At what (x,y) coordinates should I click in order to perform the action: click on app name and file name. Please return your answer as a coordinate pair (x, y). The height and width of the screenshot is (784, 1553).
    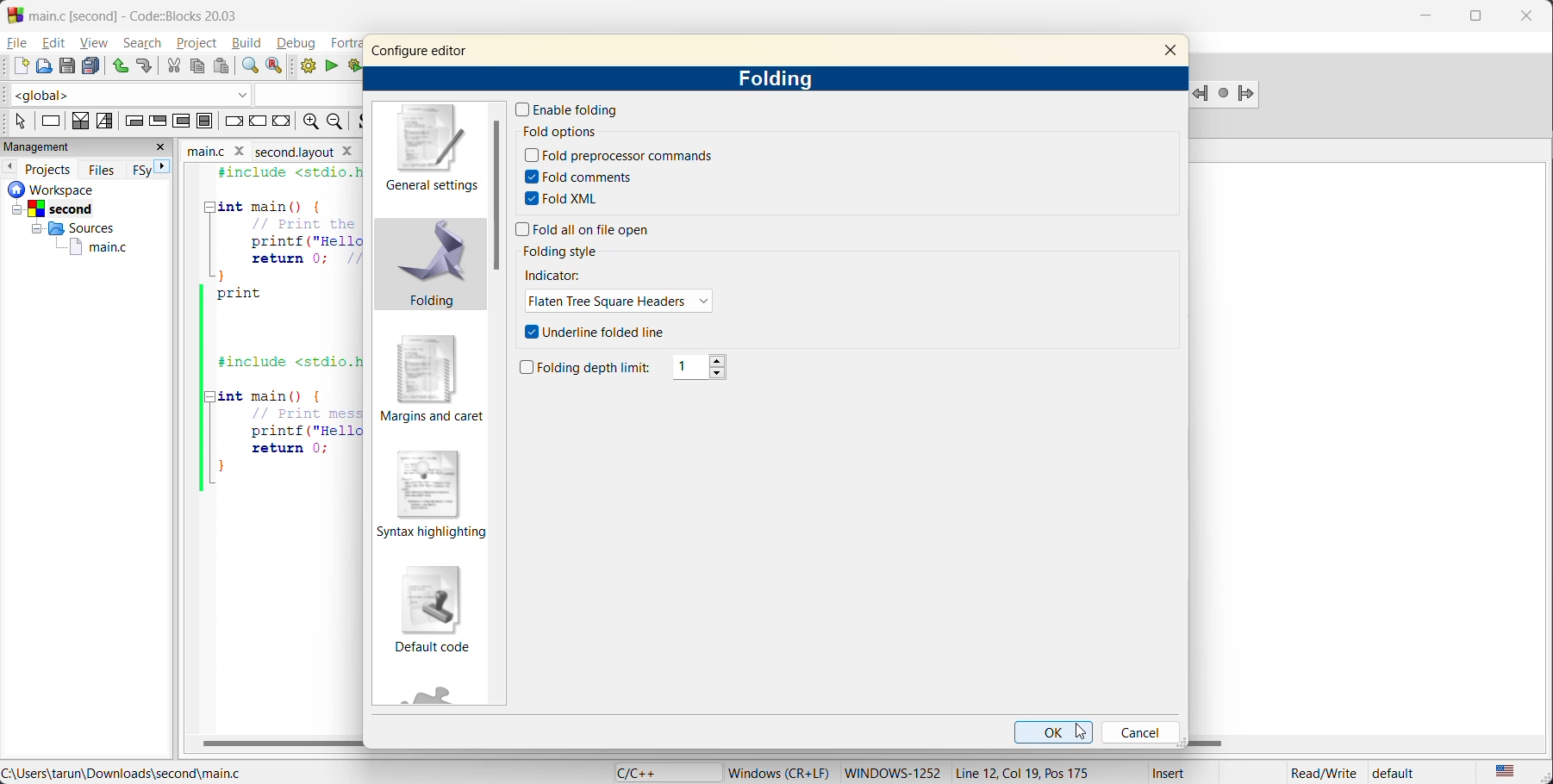
    Looking at the image, I should click on (169, 15).